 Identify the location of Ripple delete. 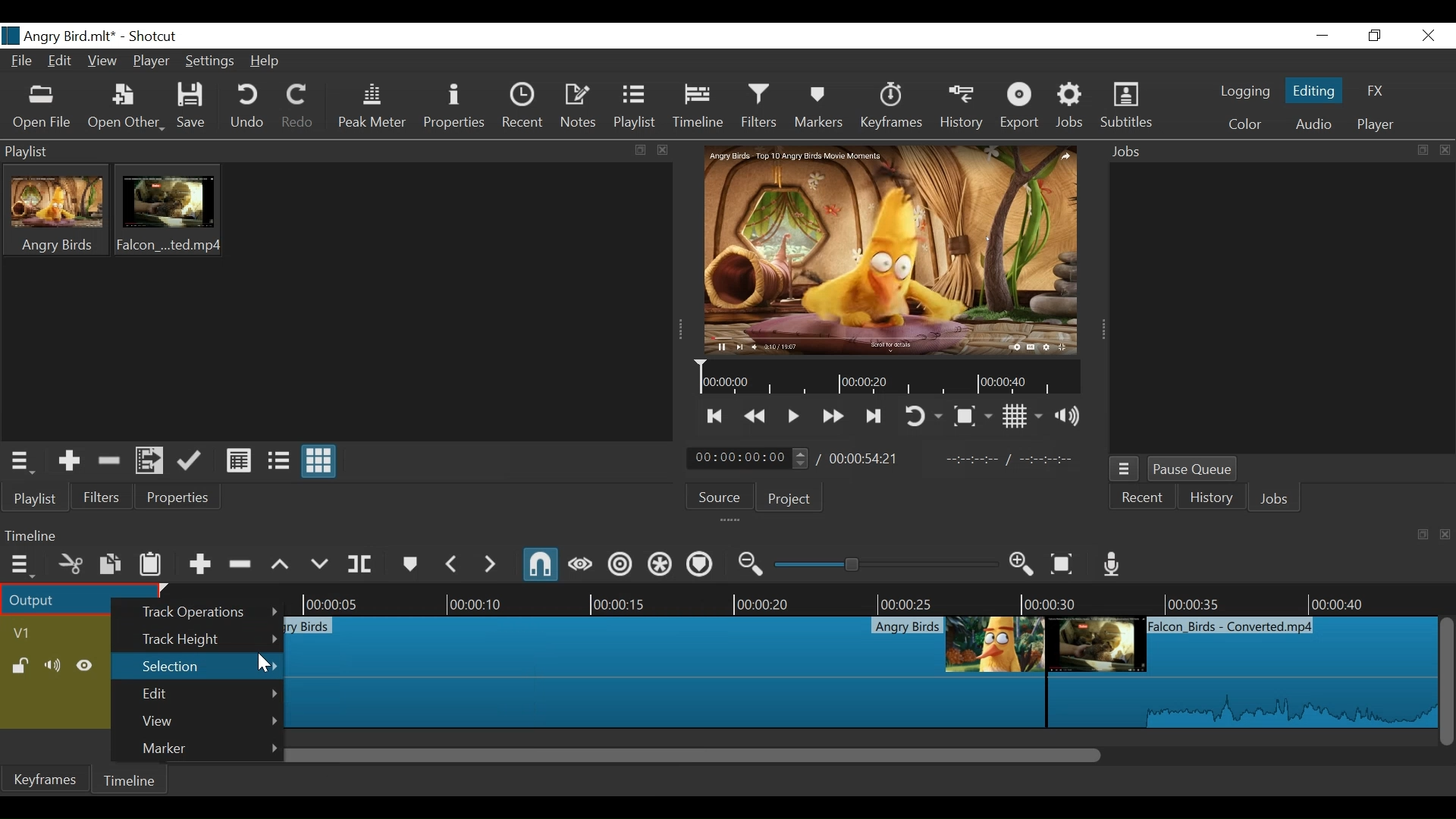
(240, 564).